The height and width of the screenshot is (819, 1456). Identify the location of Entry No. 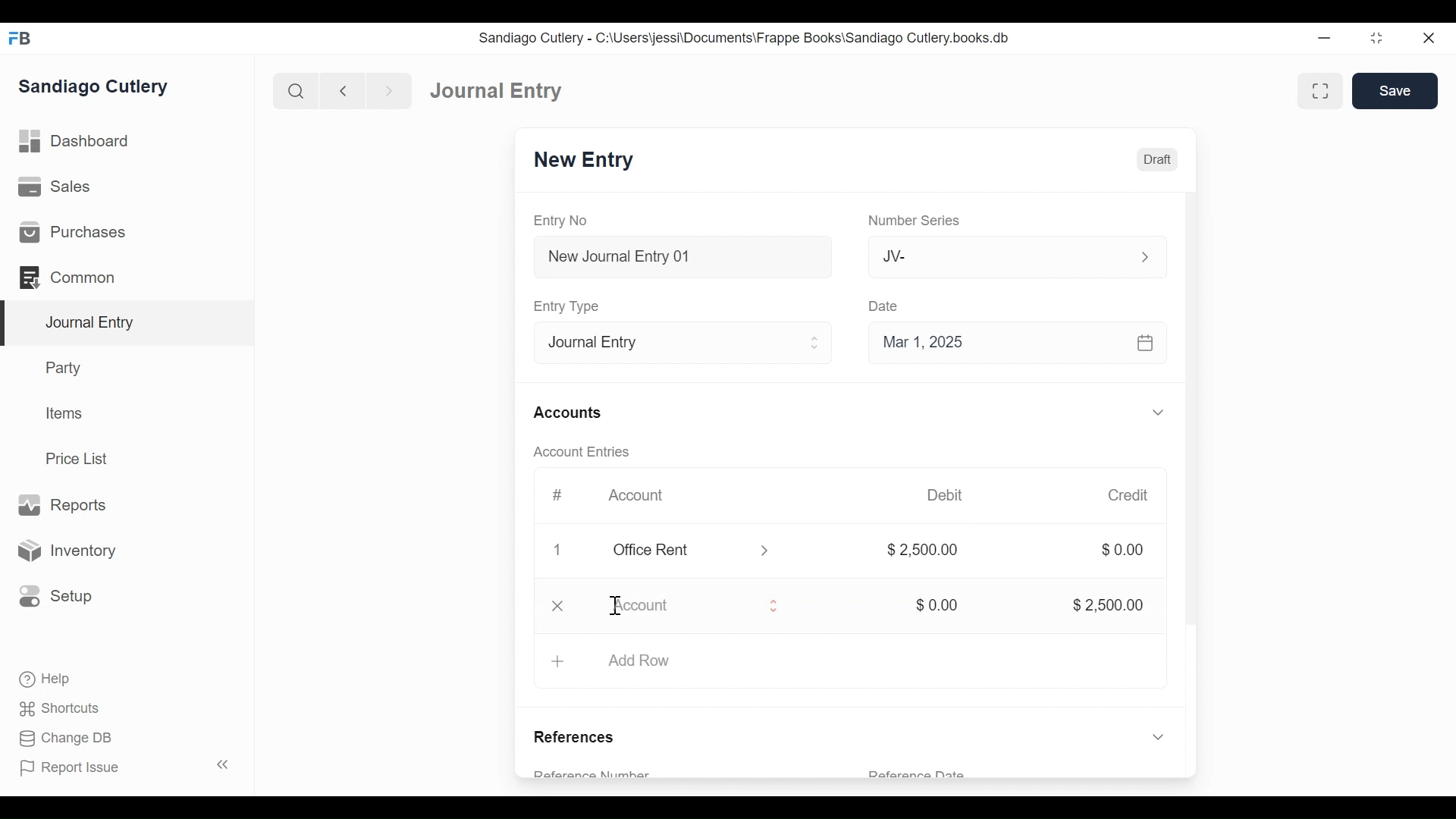
(566, 221).